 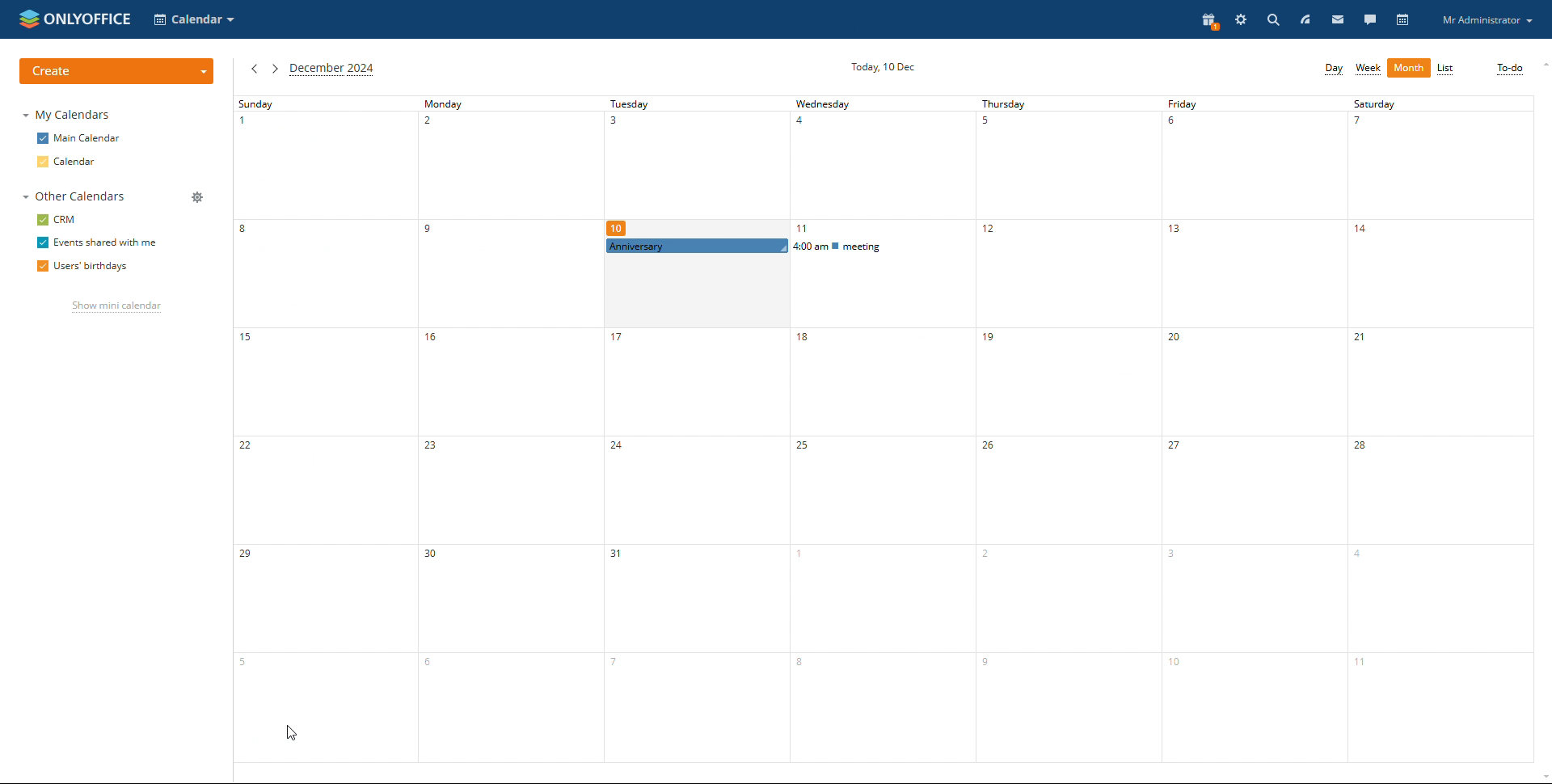 What do you see at coordinates (1487, 19) in the screenshot?
I see `profile` at bounding box center [1487, 19].